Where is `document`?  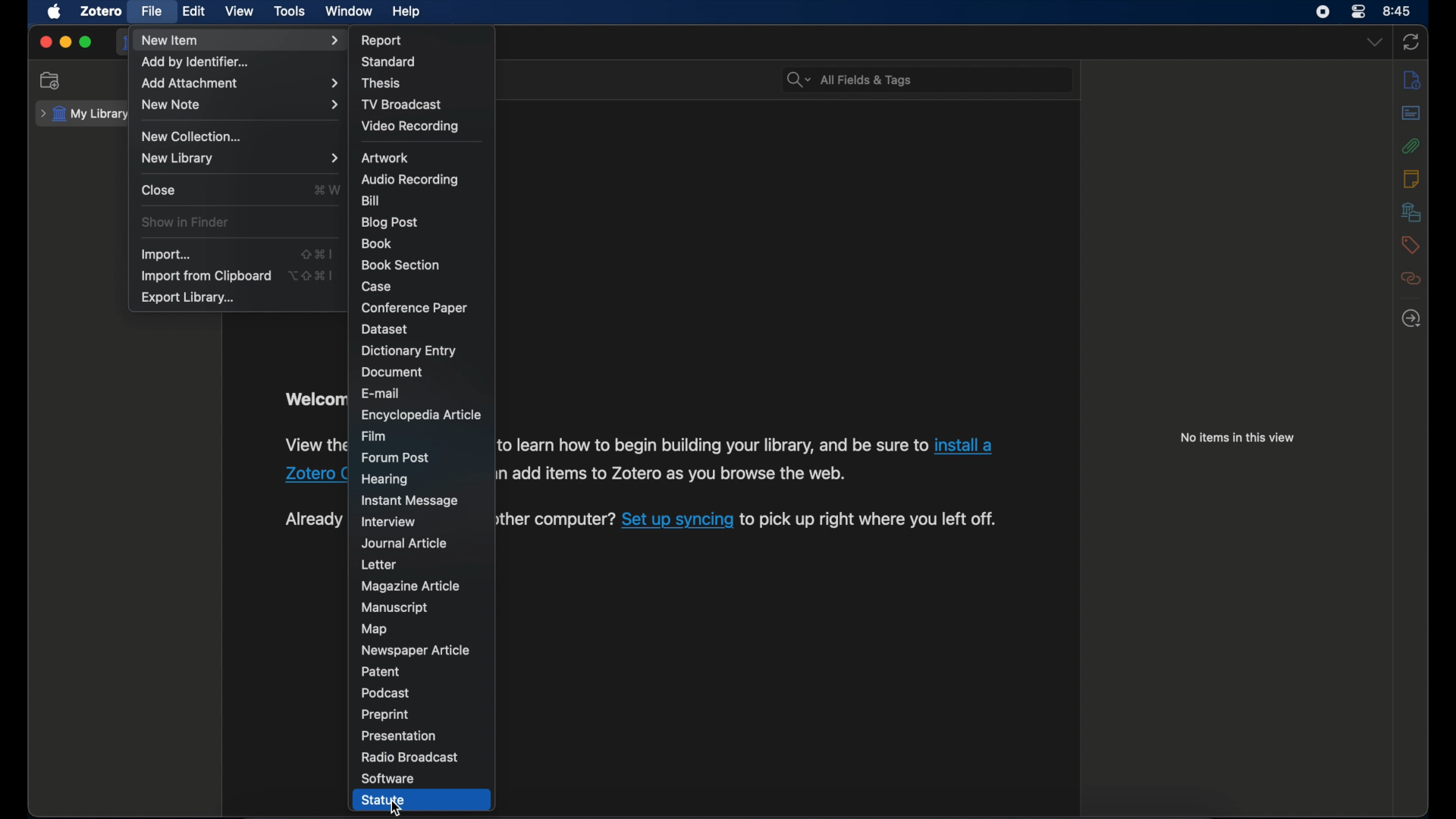
document is located at coordinates (393, 372).